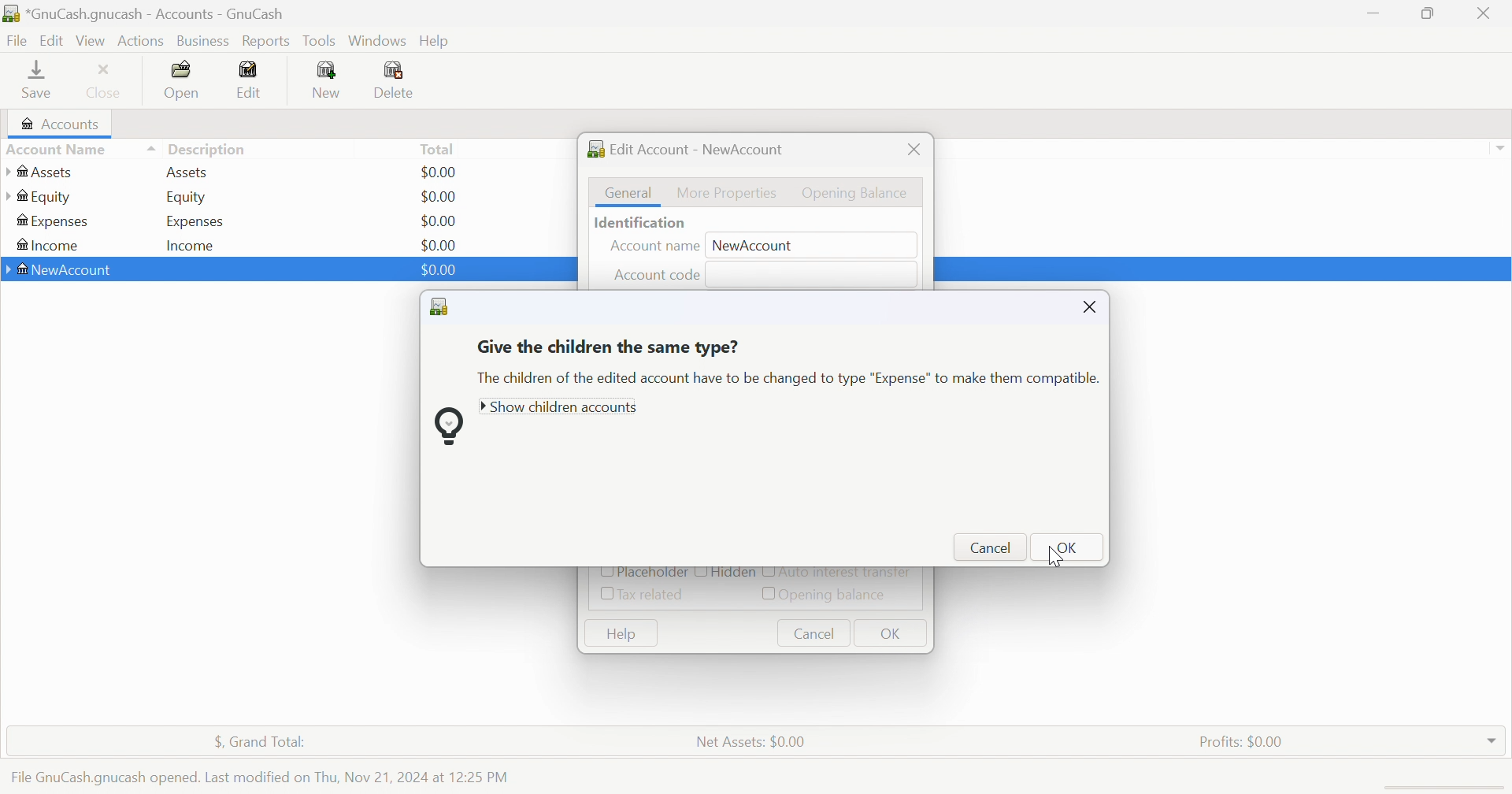  Describe the element at coordinates (839, 595) in the screenshot. I see `Opening Balance` at that location.